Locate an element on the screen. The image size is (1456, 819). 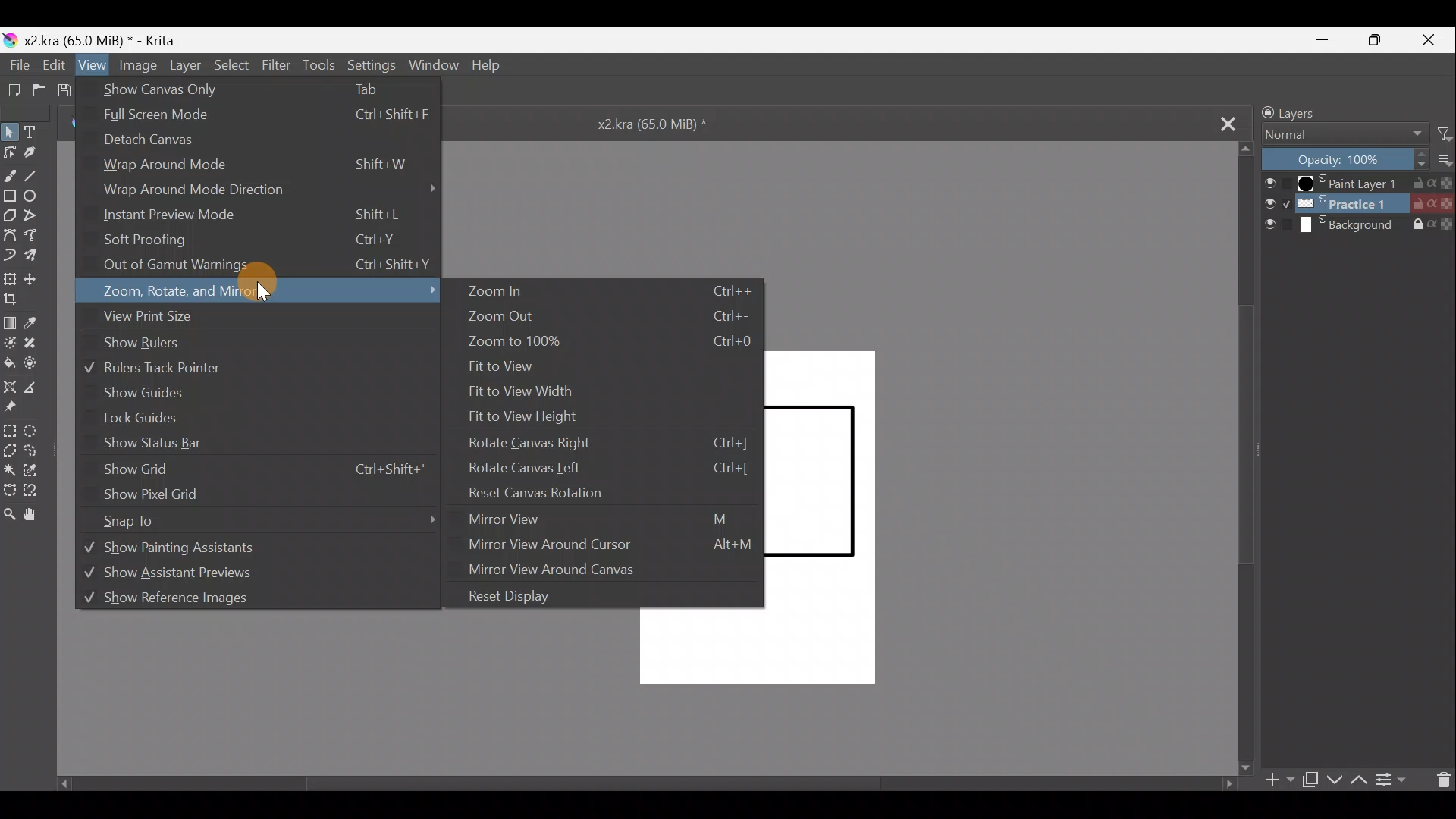
Show painting assistants is located at coordinates (243, 550).